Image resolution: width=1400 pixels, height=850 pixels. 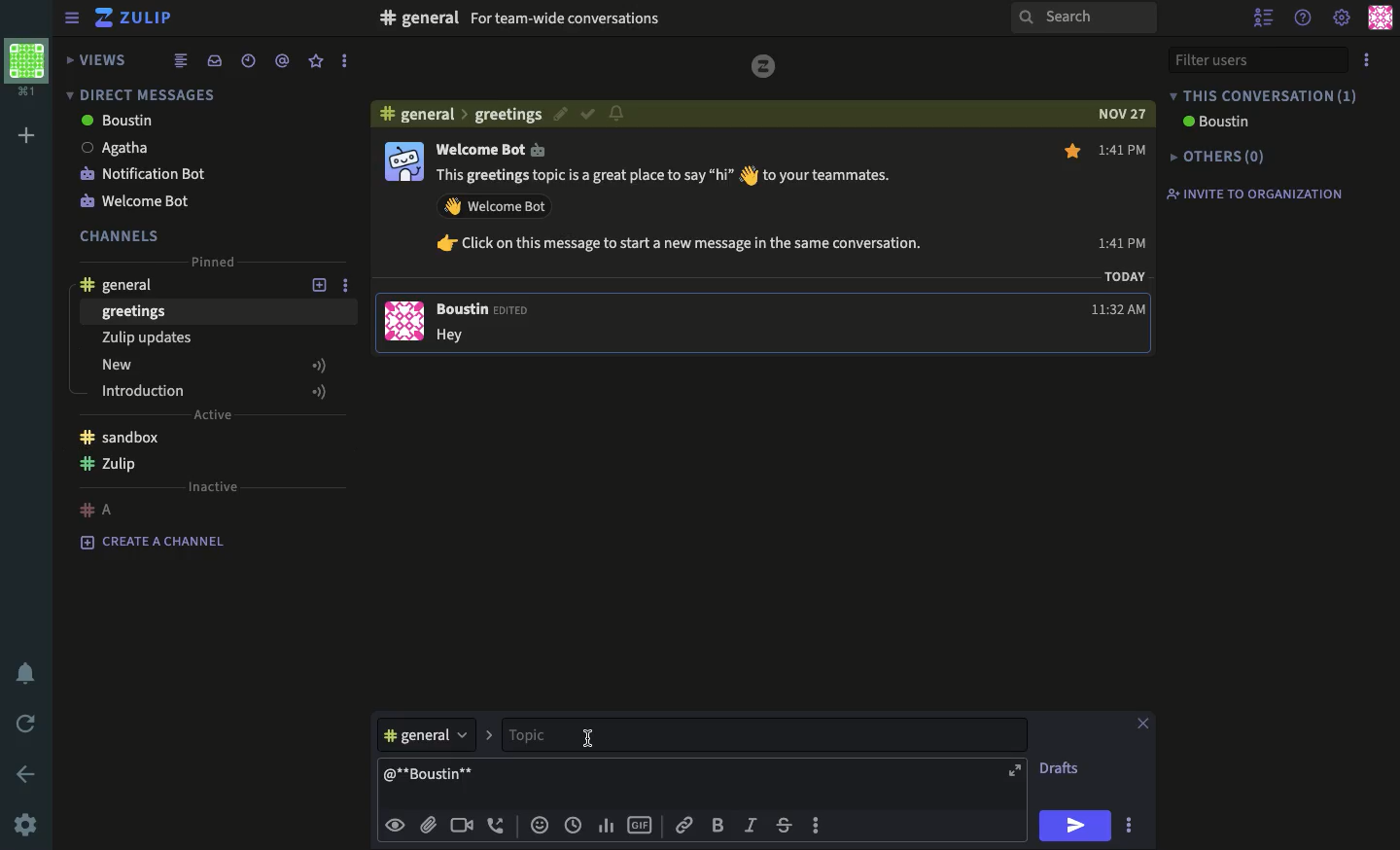 What do you see at coordinates (1343, 19) in the screenshot?
I see `settings` at bounding box center [1343, 19].